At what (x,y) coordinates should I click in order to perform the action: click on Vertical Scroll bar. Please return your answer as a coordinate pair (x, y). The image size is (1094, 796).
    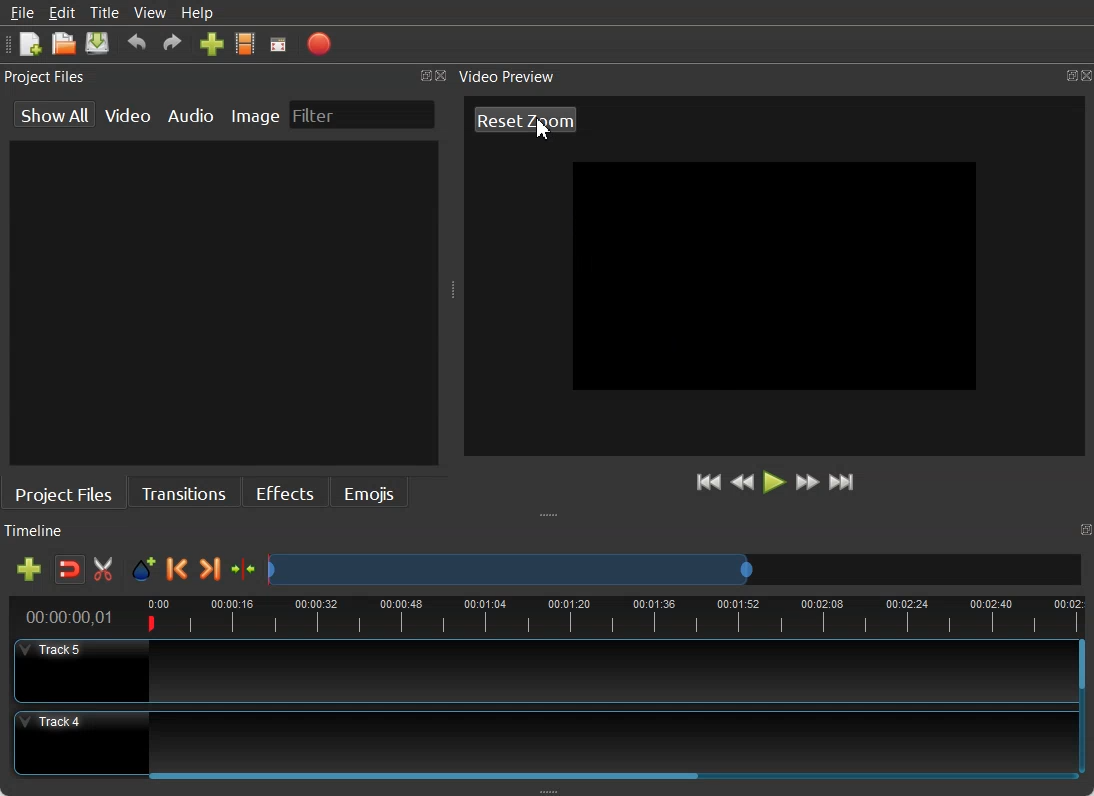
    Looking at the image, I should click on (1085, 706).